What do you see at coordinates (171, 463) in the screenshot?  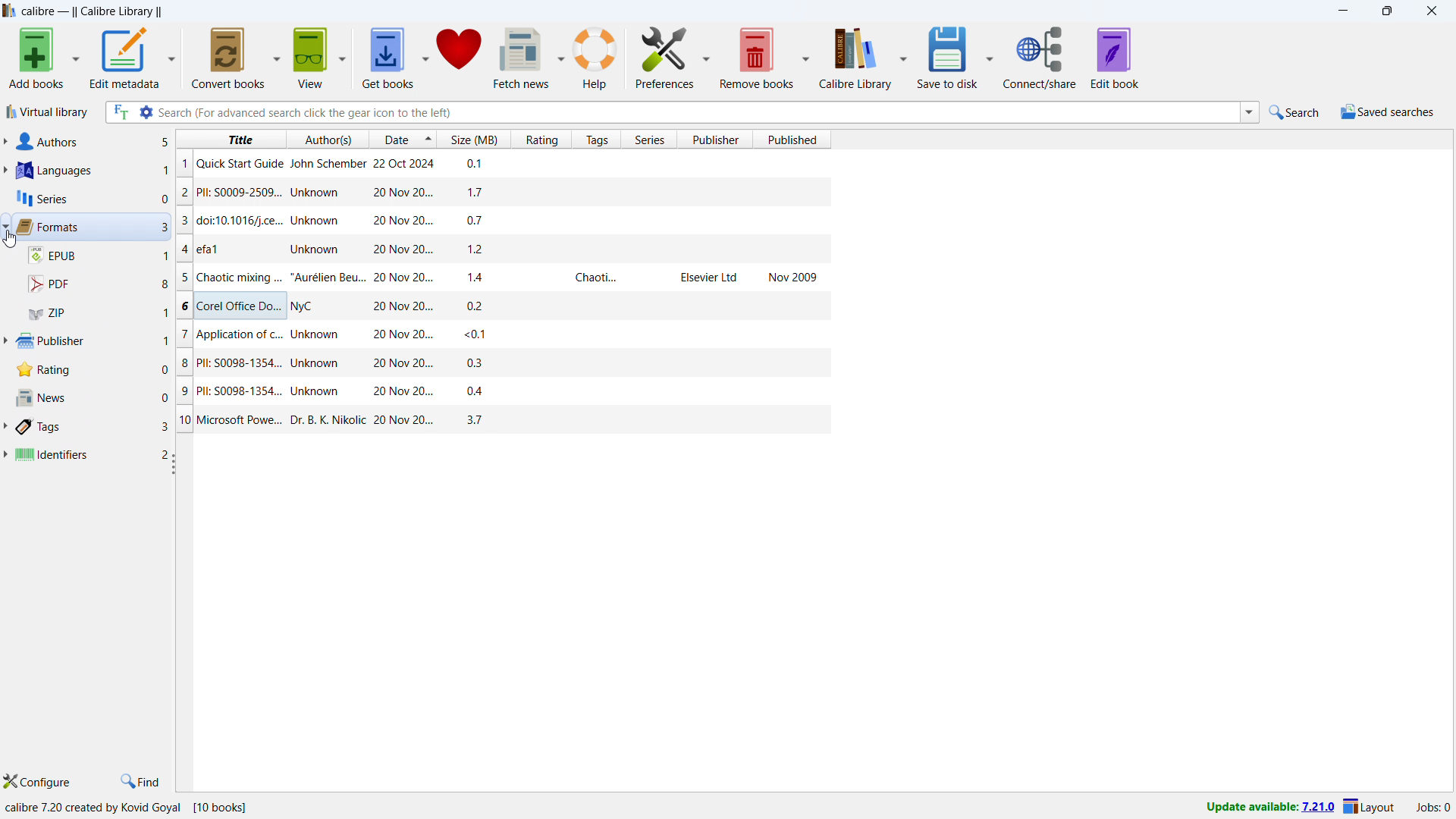 I see `resize` at bounding box center [171, 463].